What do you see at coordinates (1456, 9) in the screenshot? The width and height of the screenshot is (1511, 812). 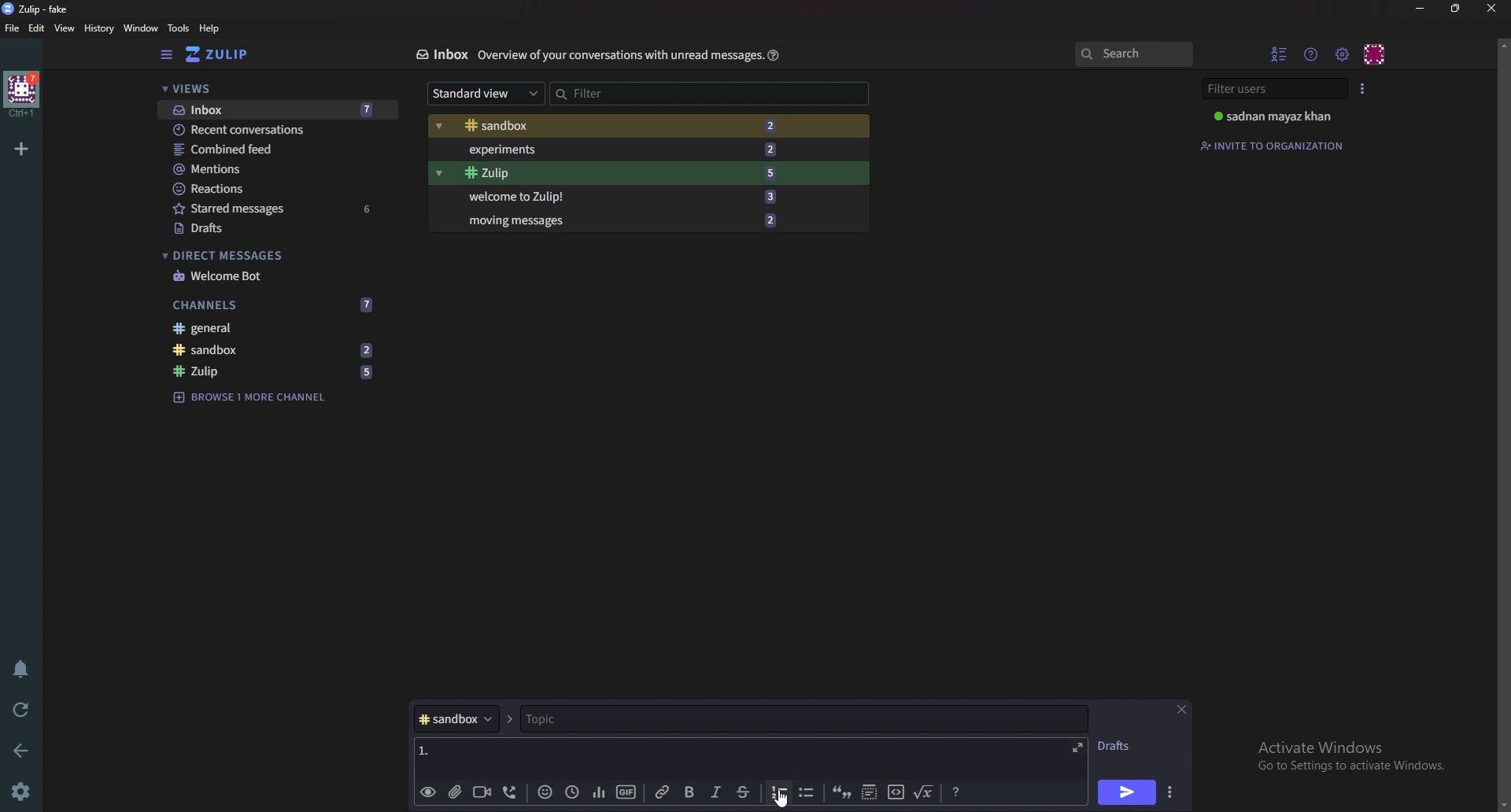 I see `Resize` at bounding box center [1456, 9].